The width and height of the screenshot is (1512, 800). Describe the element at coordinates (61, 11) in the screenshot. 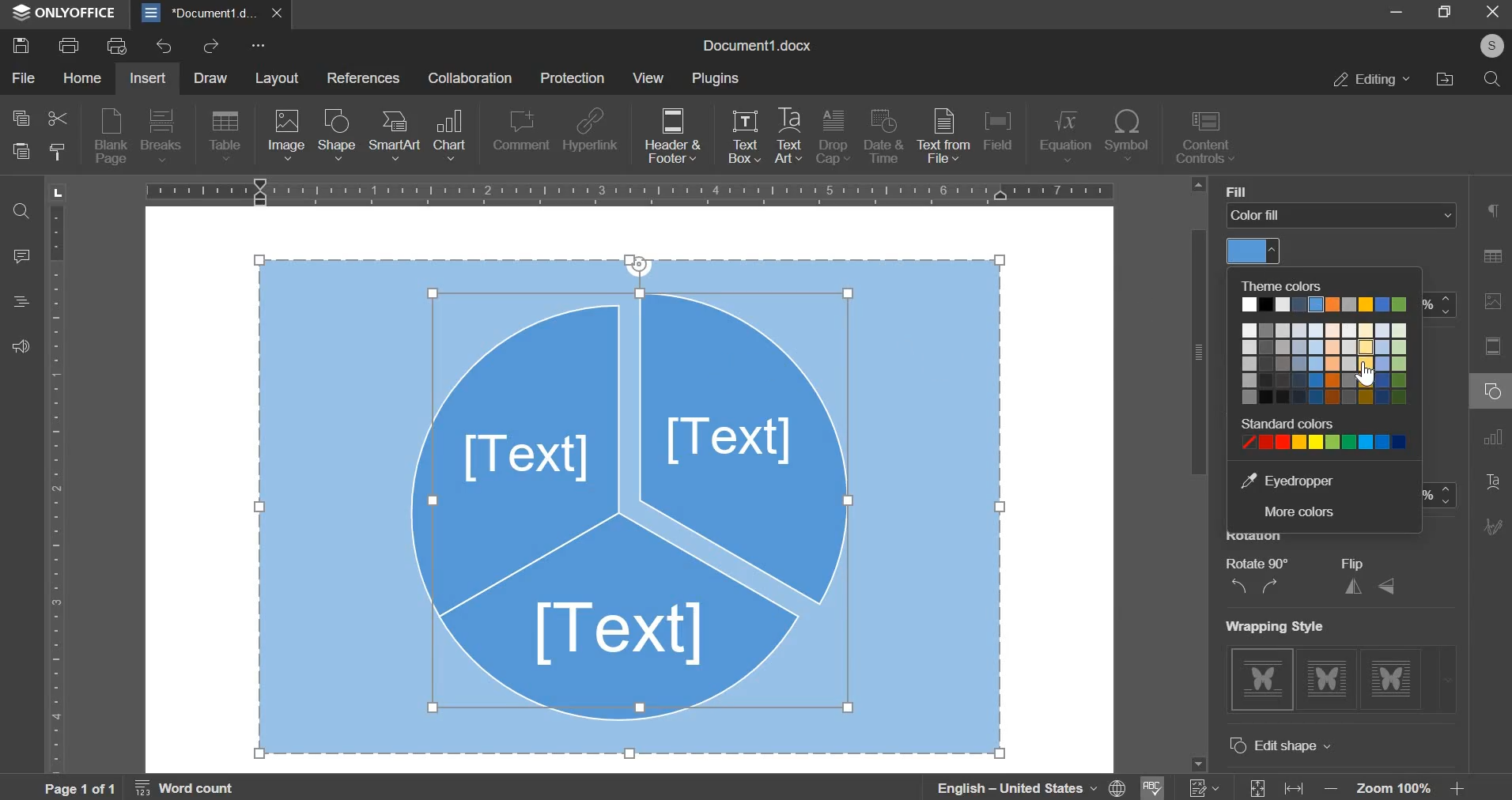

I see `onlyoffice` at that location.